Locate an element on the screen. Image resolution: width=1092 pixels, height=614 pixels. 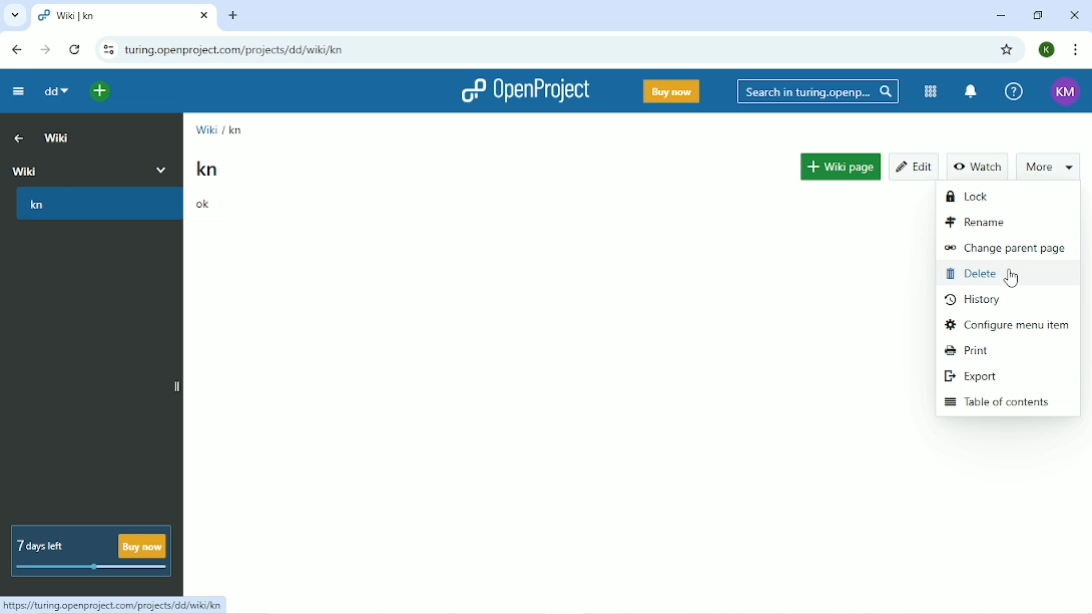
Site is located at coordinates (236, 50).